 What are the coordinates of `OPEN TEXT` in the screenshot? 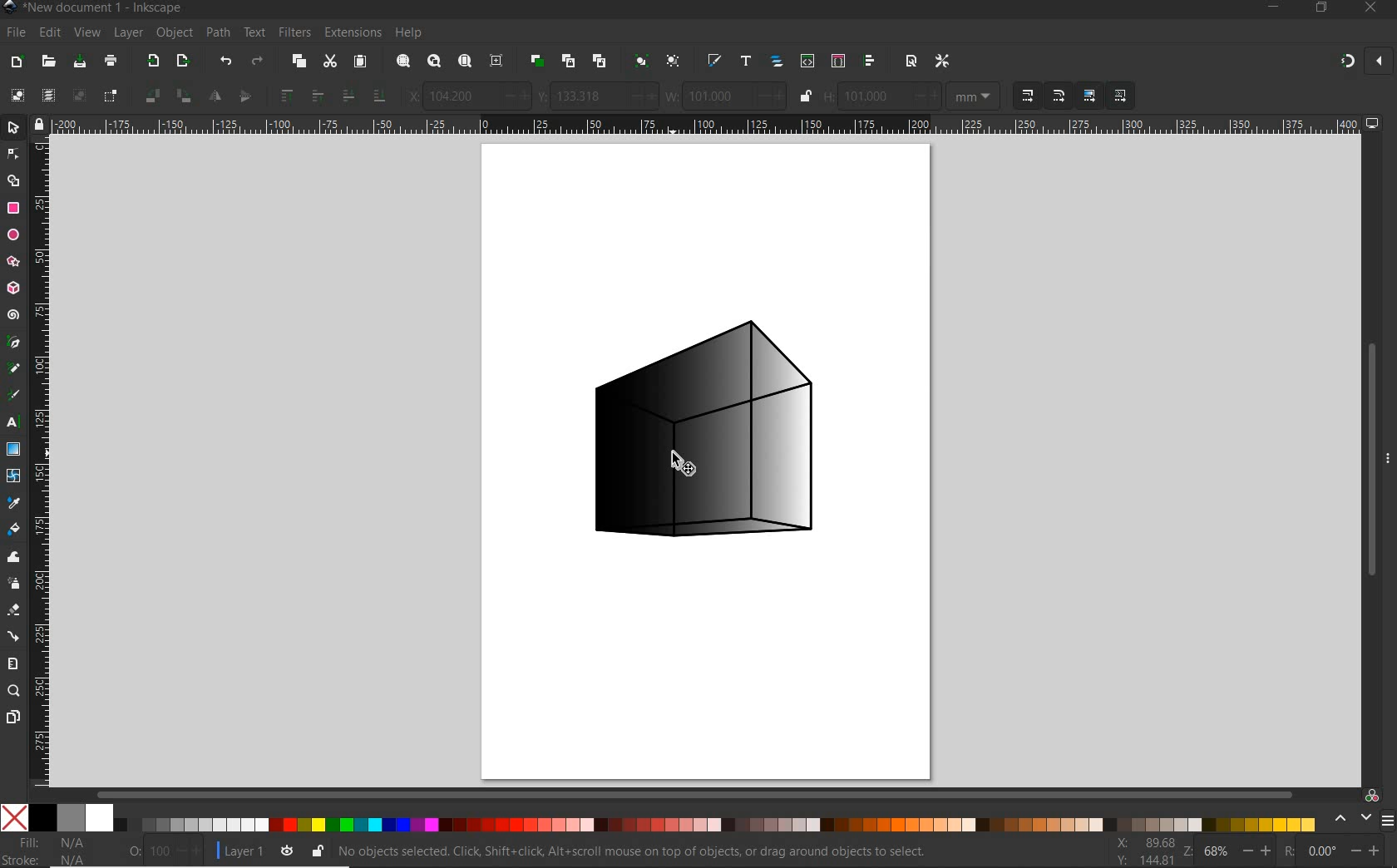 It's located at (748, 62).